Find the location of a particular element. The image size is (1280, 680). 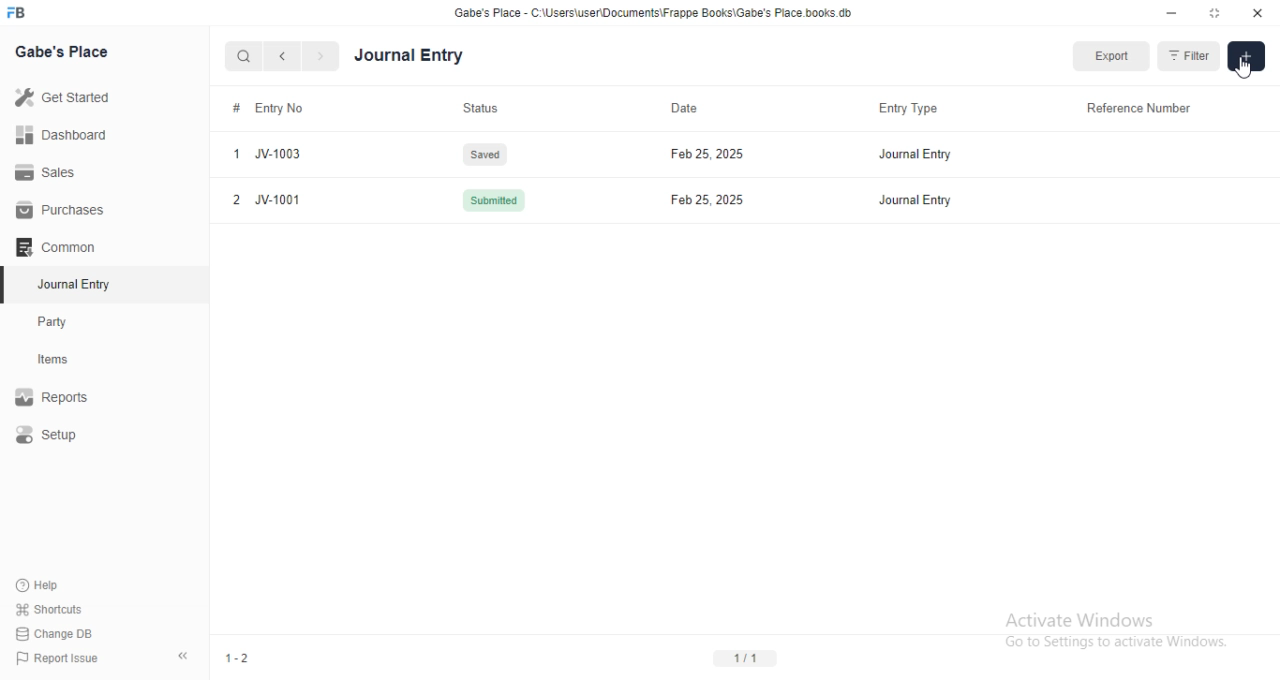

1 is located at coordinates (233, 155).